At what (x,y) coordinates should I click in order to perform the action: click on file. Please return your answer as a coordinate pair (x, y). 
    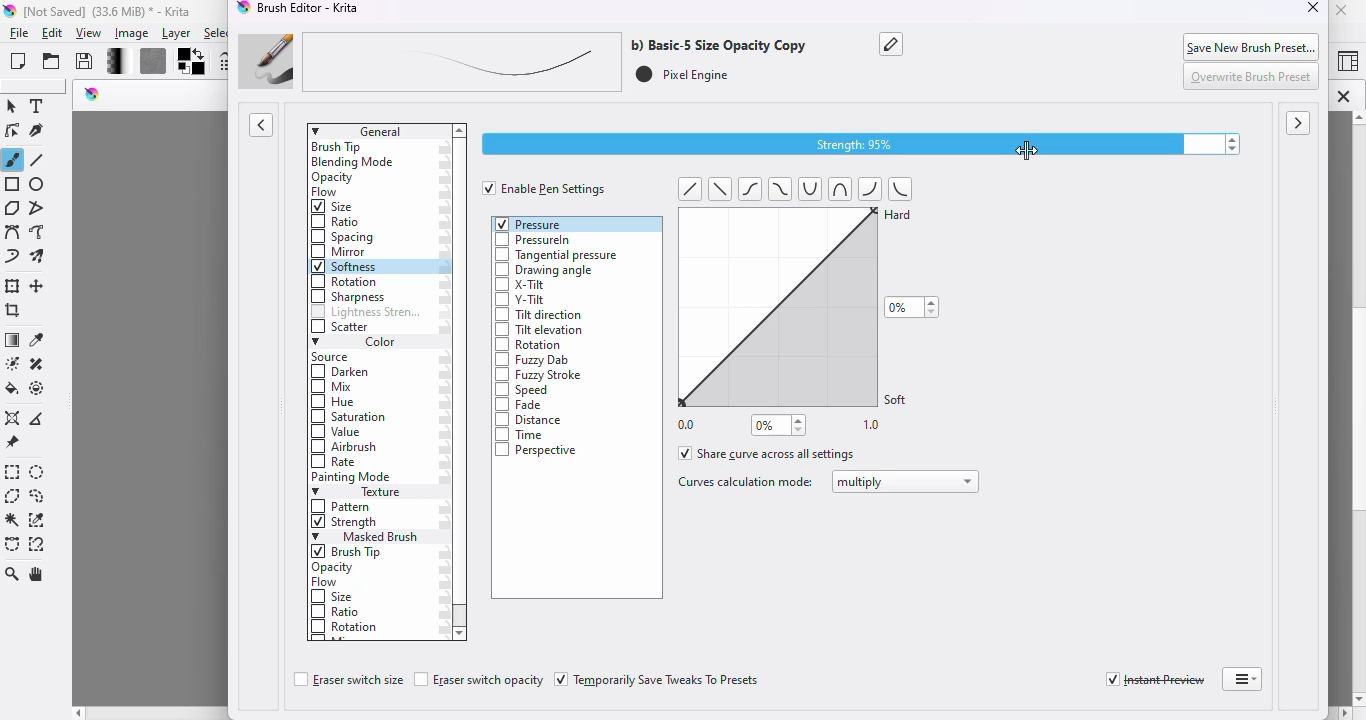
    Looking at the image, I should click on (19, 34).